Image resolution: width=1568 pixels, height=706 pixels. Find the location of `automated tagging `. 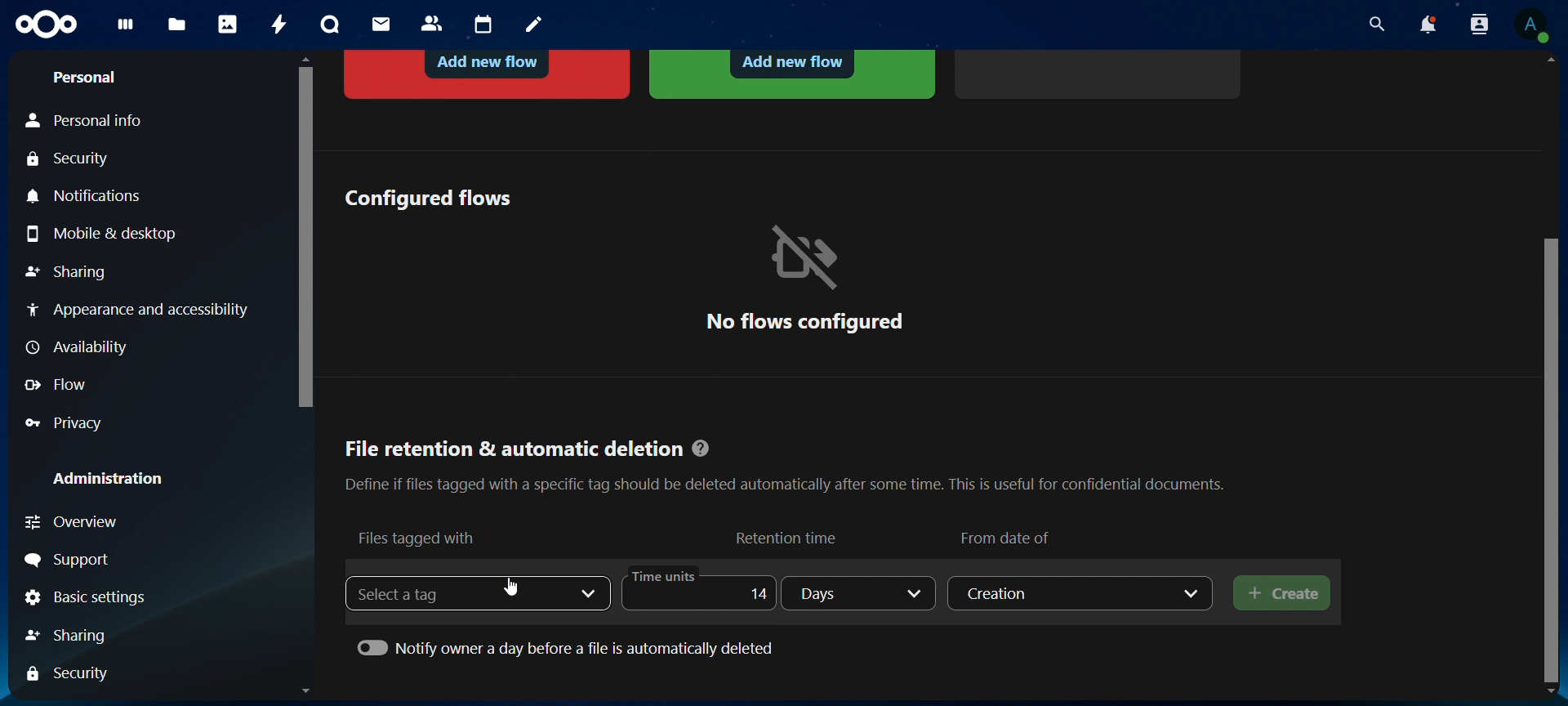

automated tagging  is located at coordinates (792, 73).